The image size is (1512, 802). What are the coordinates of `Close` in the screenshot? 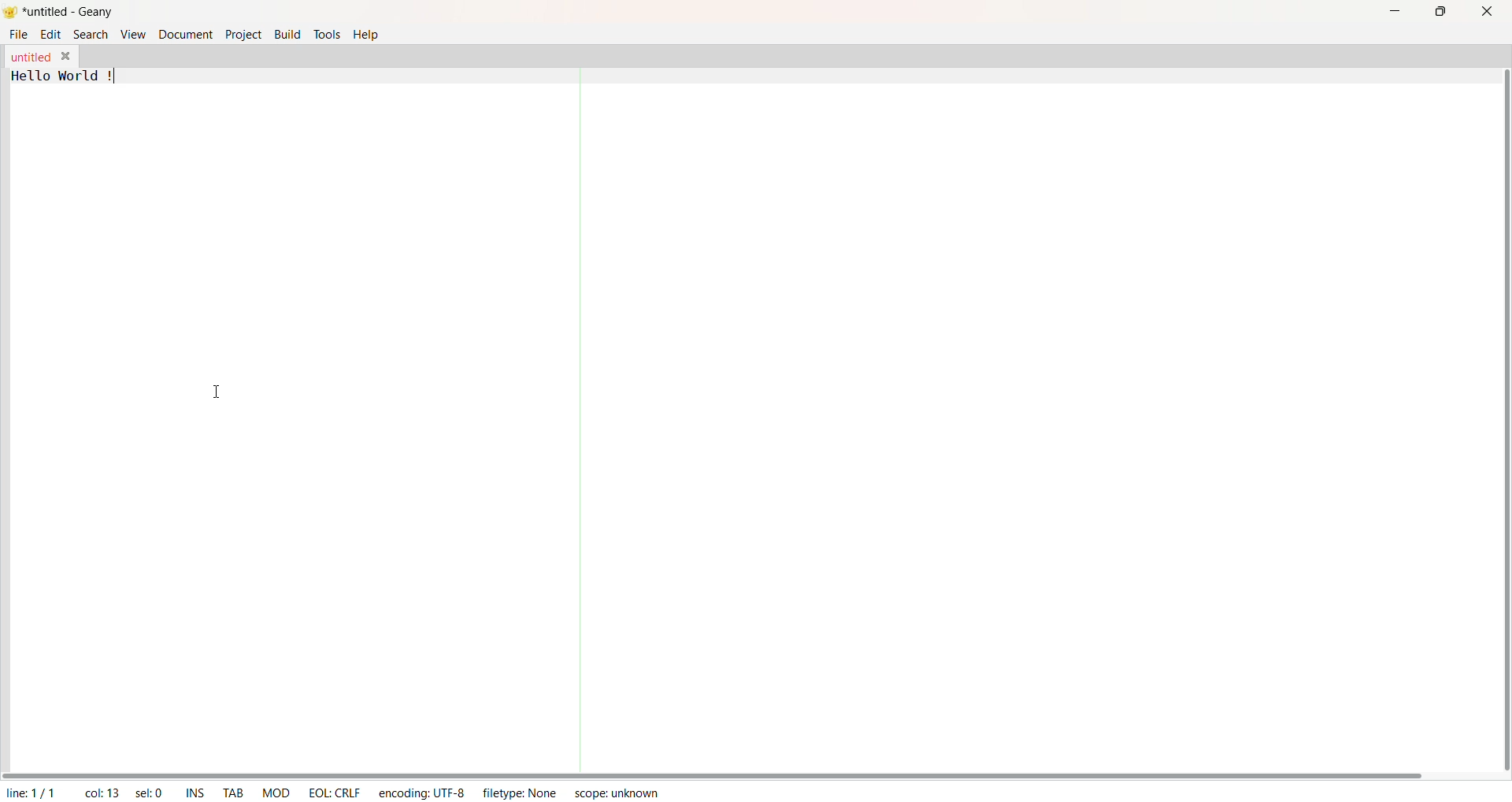 It's located at (1484, 12).